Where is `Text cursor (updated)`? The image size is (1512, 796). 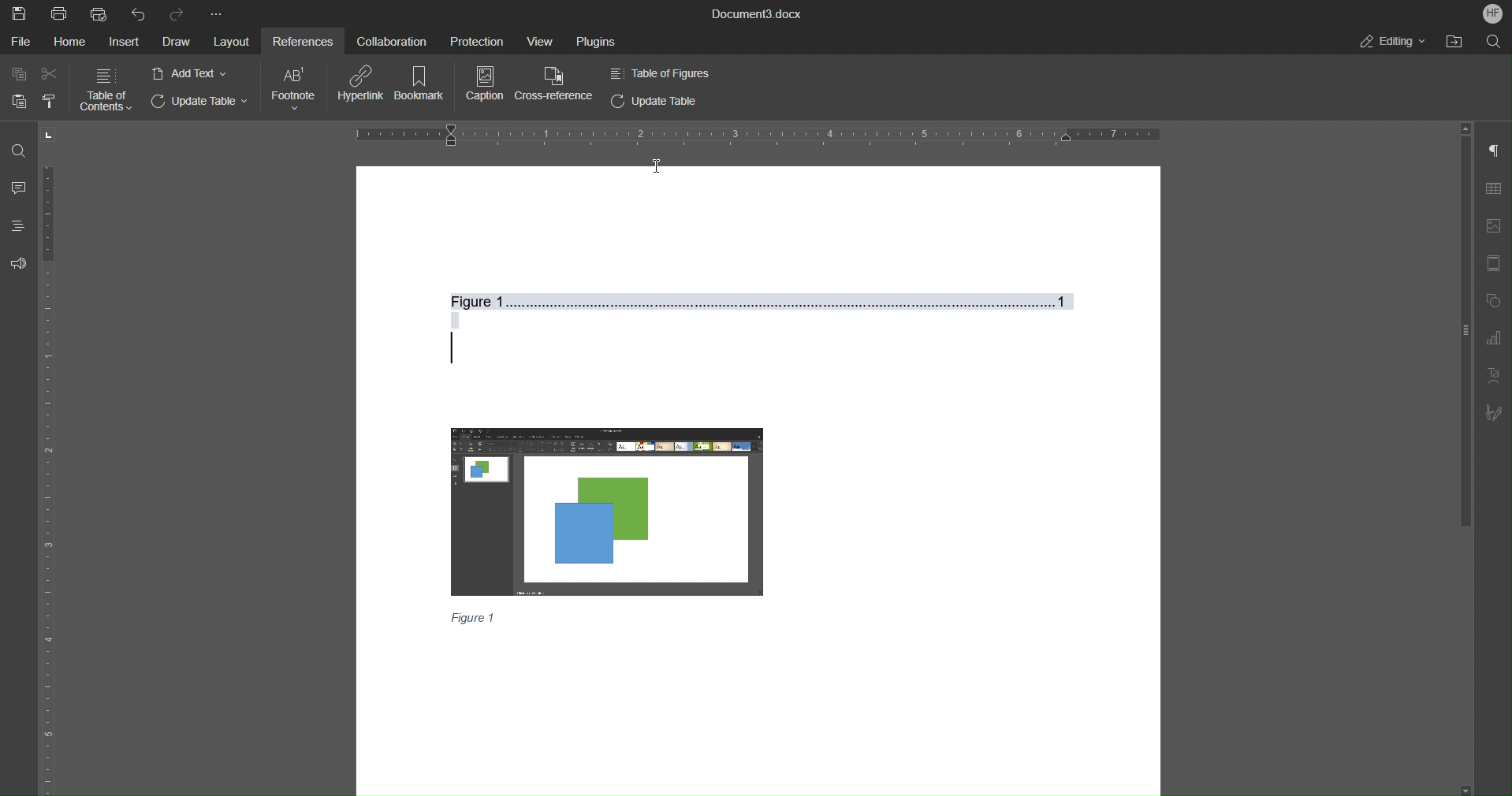 Text cursor (updated) is located at coordinates (452, 353).